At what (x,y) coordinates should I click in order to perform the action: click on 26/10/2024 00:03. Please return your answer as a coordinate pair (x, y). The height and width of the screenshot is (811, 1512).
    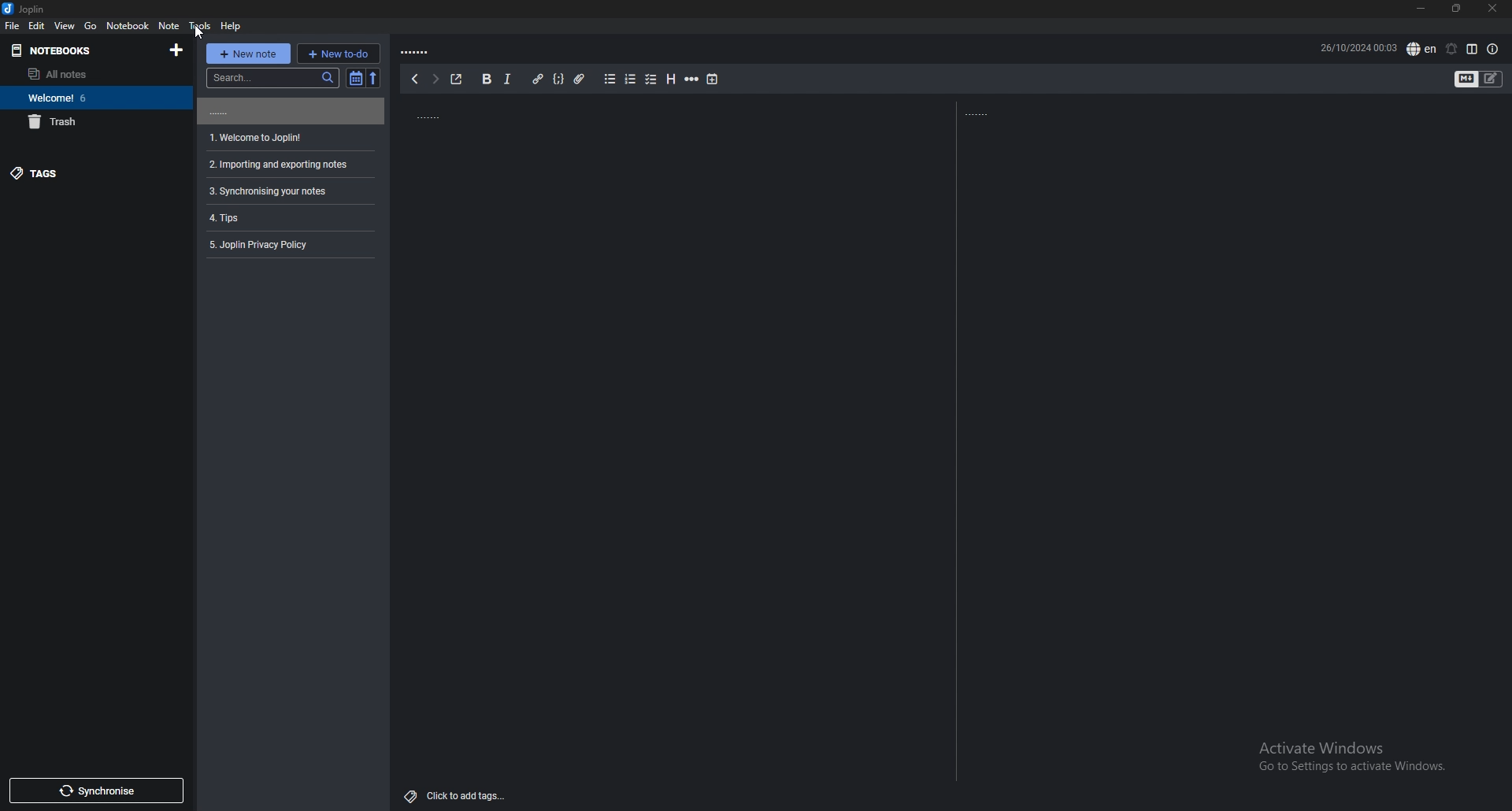
    Looking at the image, I should click on (1358, 46).